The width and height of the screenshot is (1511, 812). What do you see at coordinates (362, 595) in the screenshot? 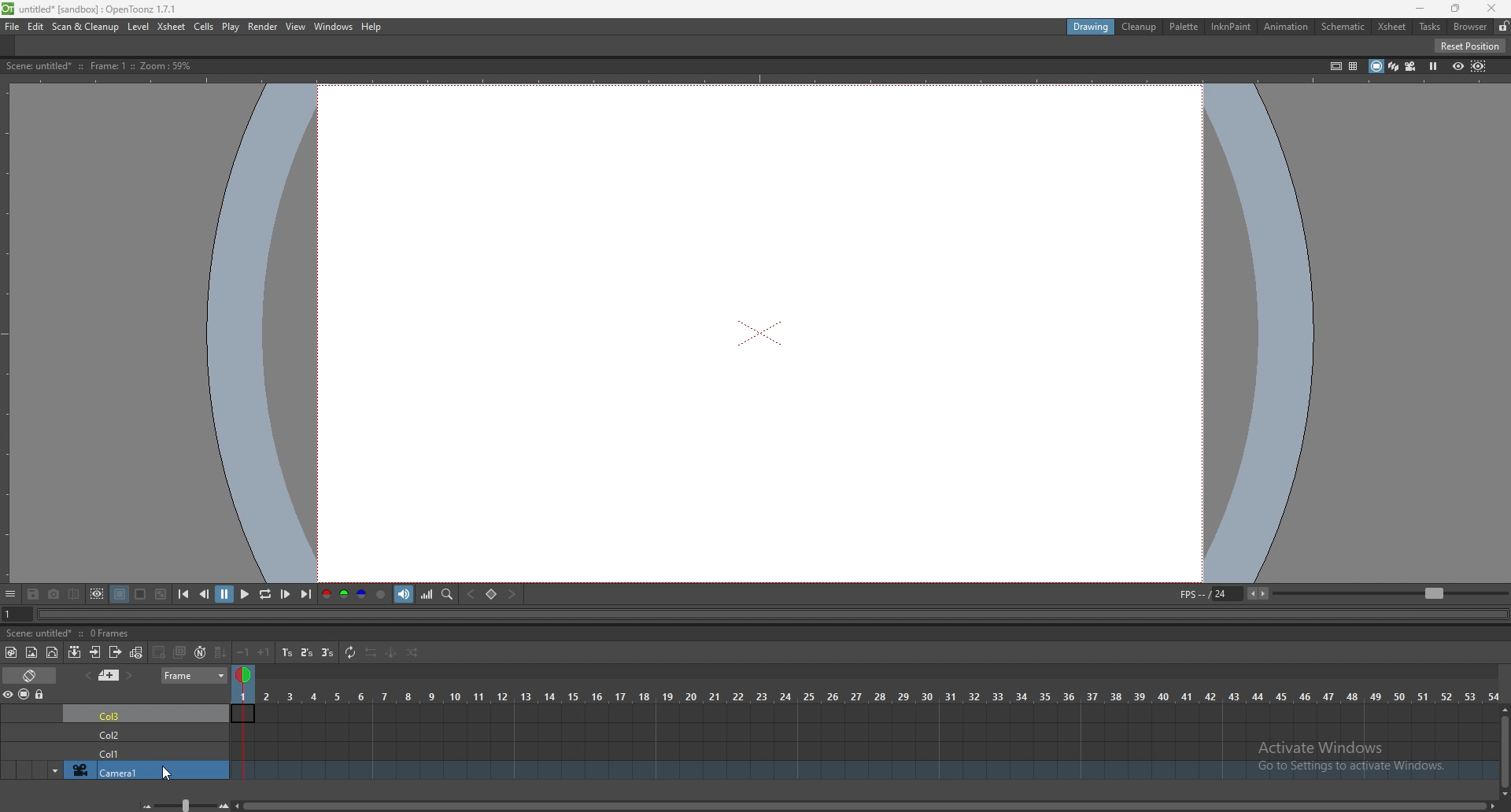
I see `blue` at bounding box center [362, 595].